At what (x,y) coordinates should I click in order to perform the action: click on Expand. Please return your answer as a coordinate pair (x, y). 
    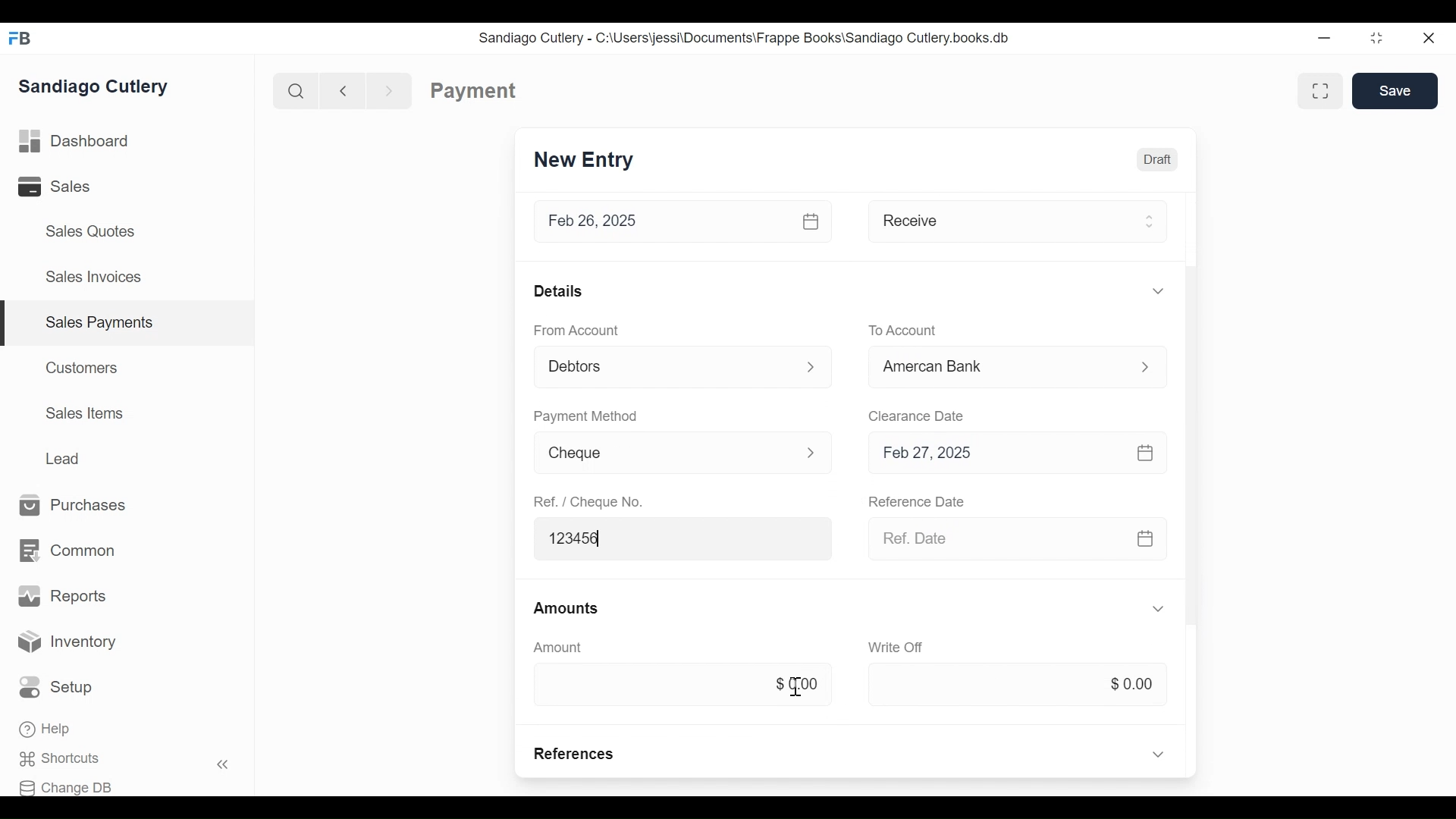
    Looking at the image, I should click on (1144, 366).